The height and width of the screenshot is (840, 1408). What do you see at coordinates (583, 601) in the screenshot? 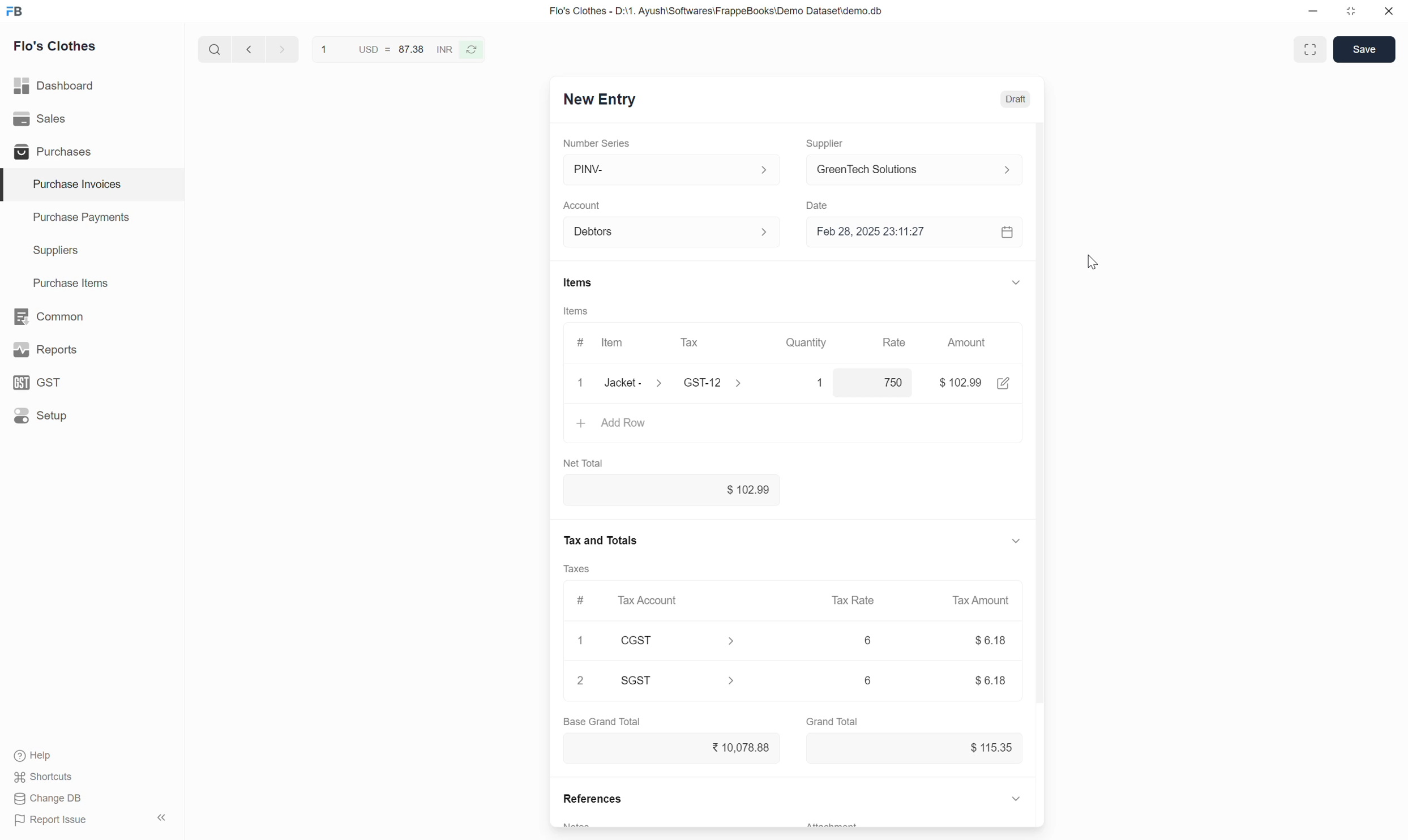
I see `#` at bounding box center [583, 601].